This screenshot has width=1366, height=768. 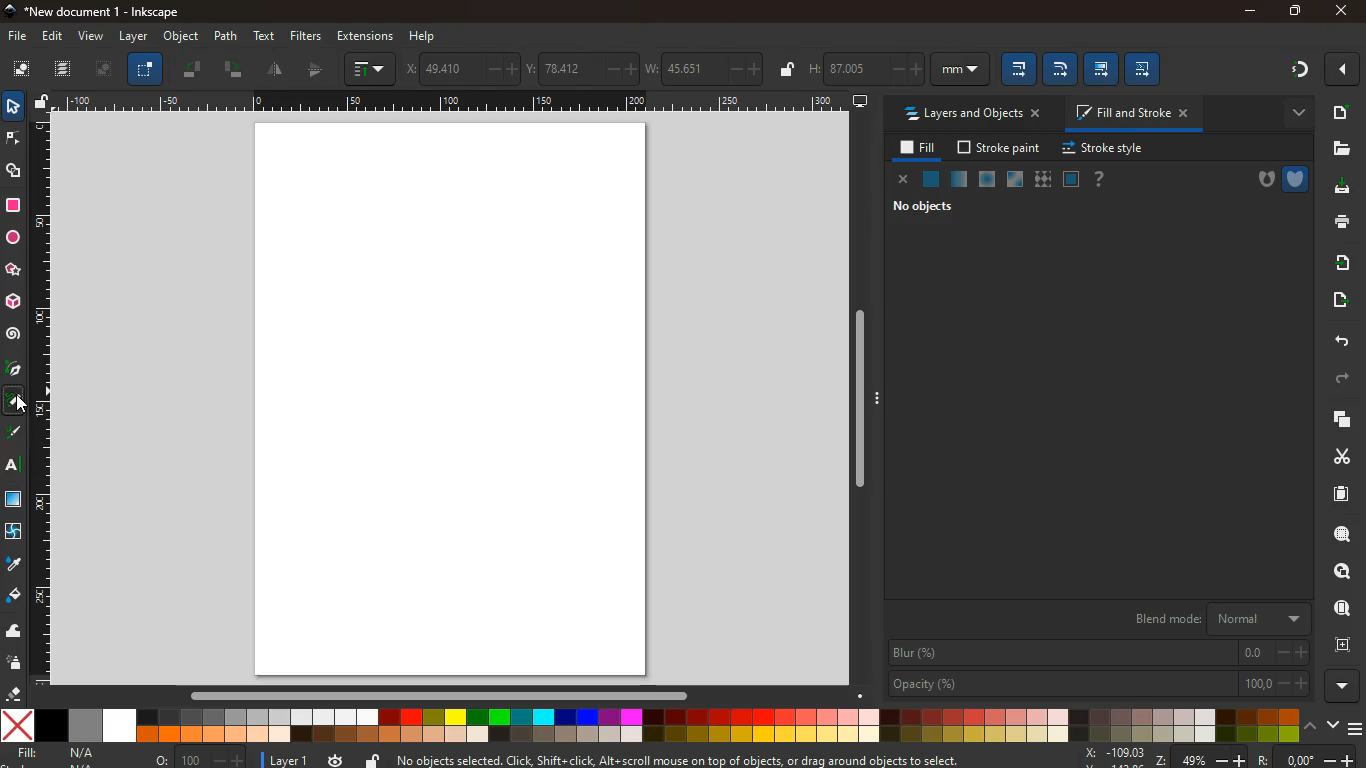 I want to click on layers, so click(x=64, y=69).